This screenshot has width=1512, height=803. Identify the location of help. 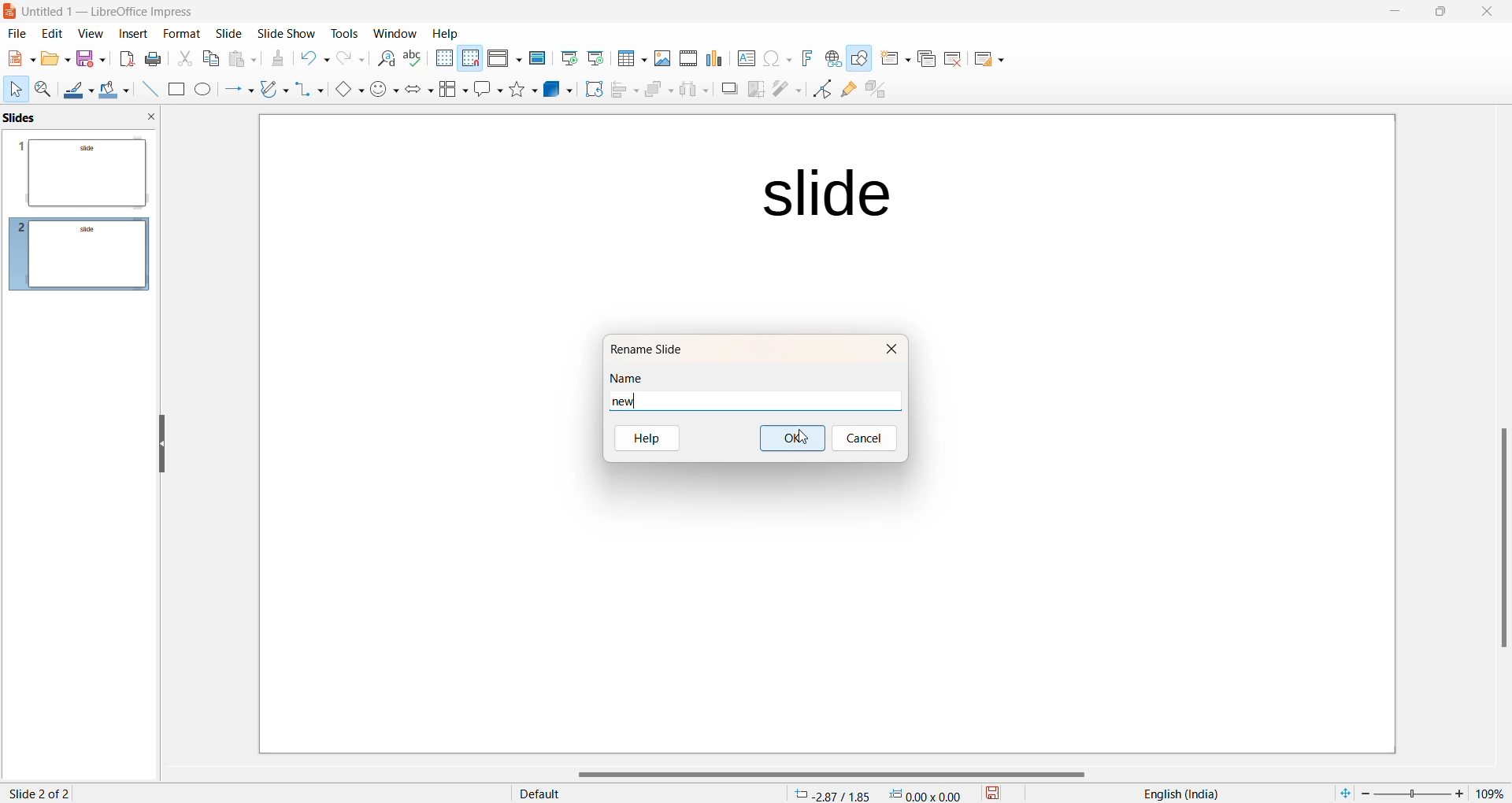
(656, 437).